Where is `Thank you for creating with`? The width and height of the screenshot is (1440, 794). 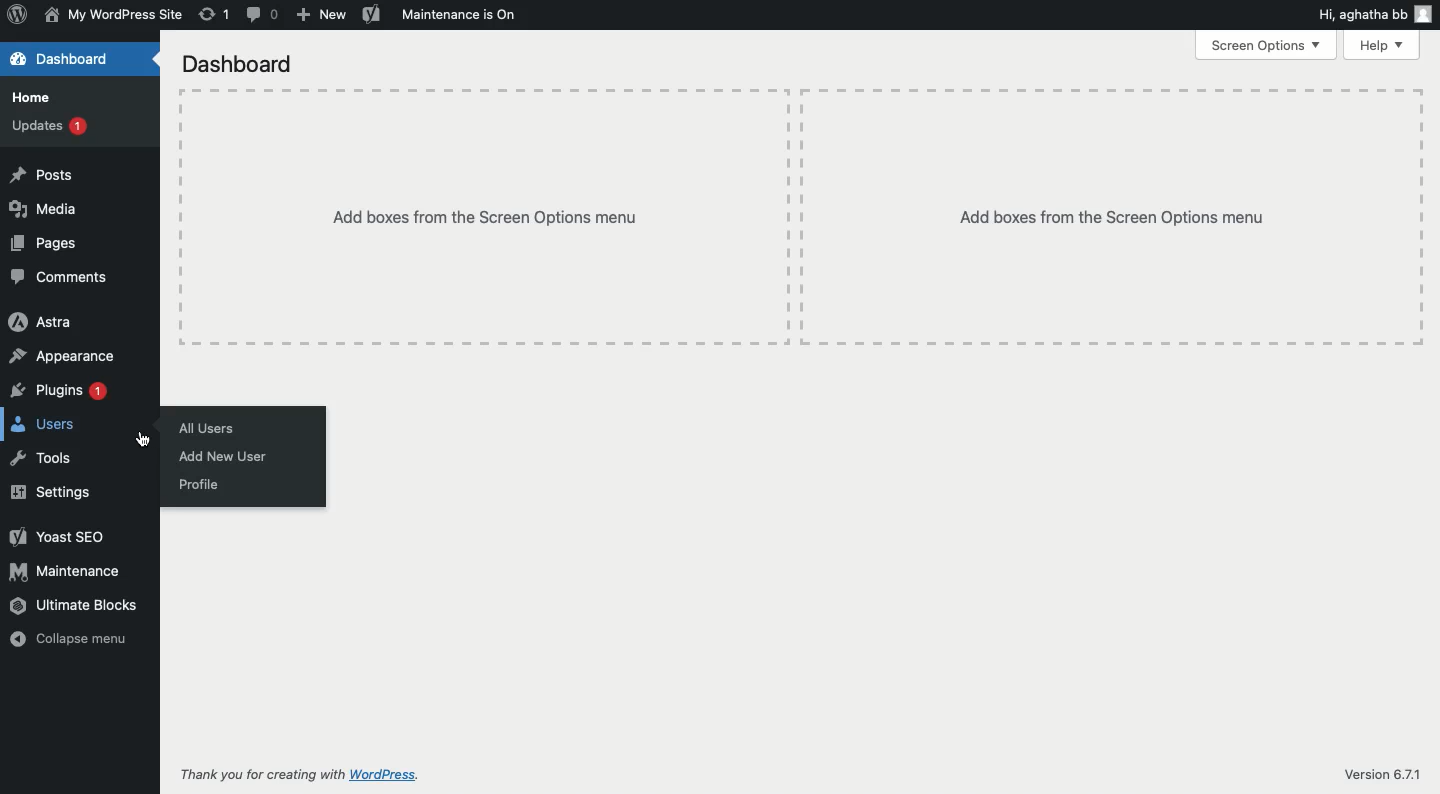 Thank you for creating with is located at coordinates (262, 775).